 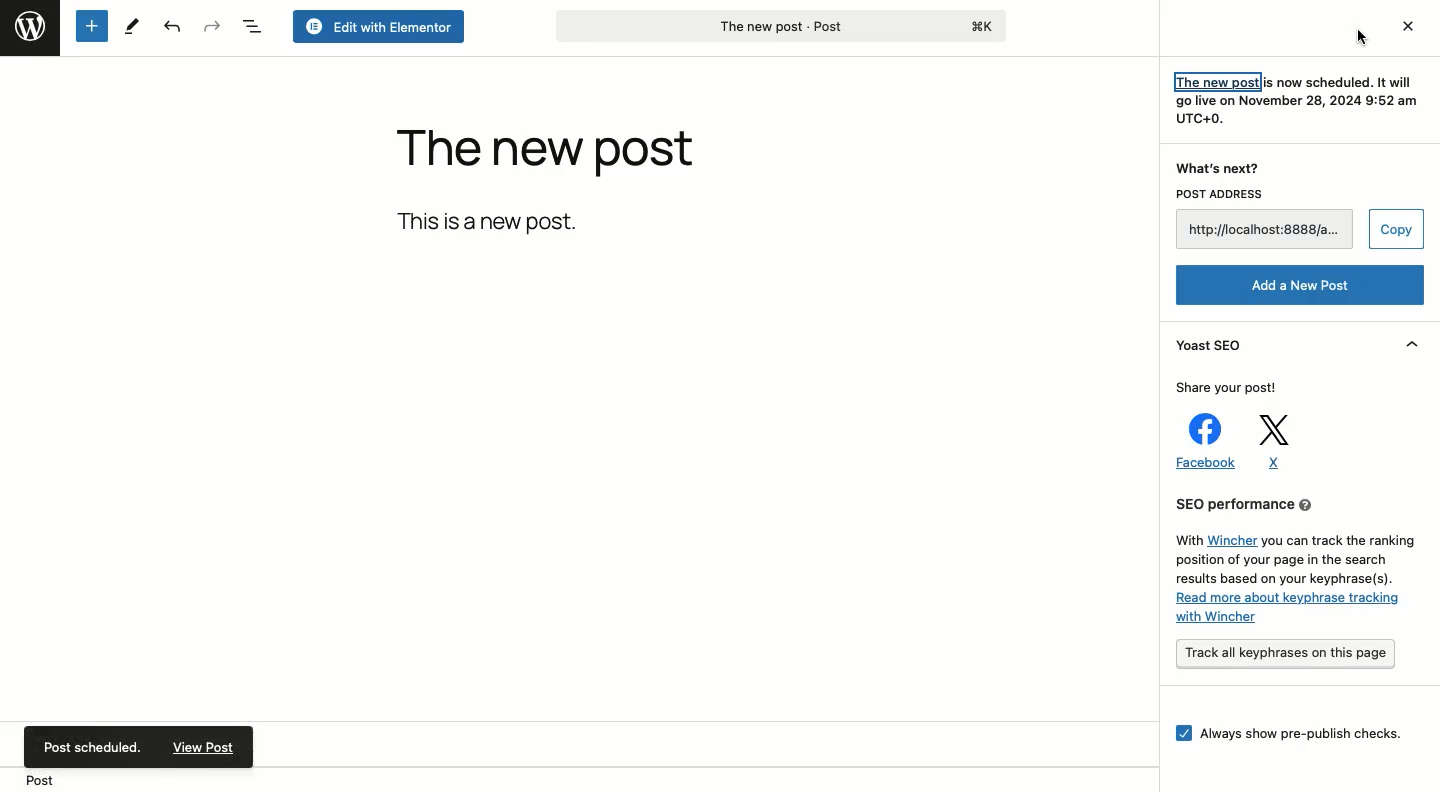 What do you see at coordinates (1266, 230) in the screenshot?
I see `http:/flocalhost:8888/a...` at bounding box center [1266, 230].